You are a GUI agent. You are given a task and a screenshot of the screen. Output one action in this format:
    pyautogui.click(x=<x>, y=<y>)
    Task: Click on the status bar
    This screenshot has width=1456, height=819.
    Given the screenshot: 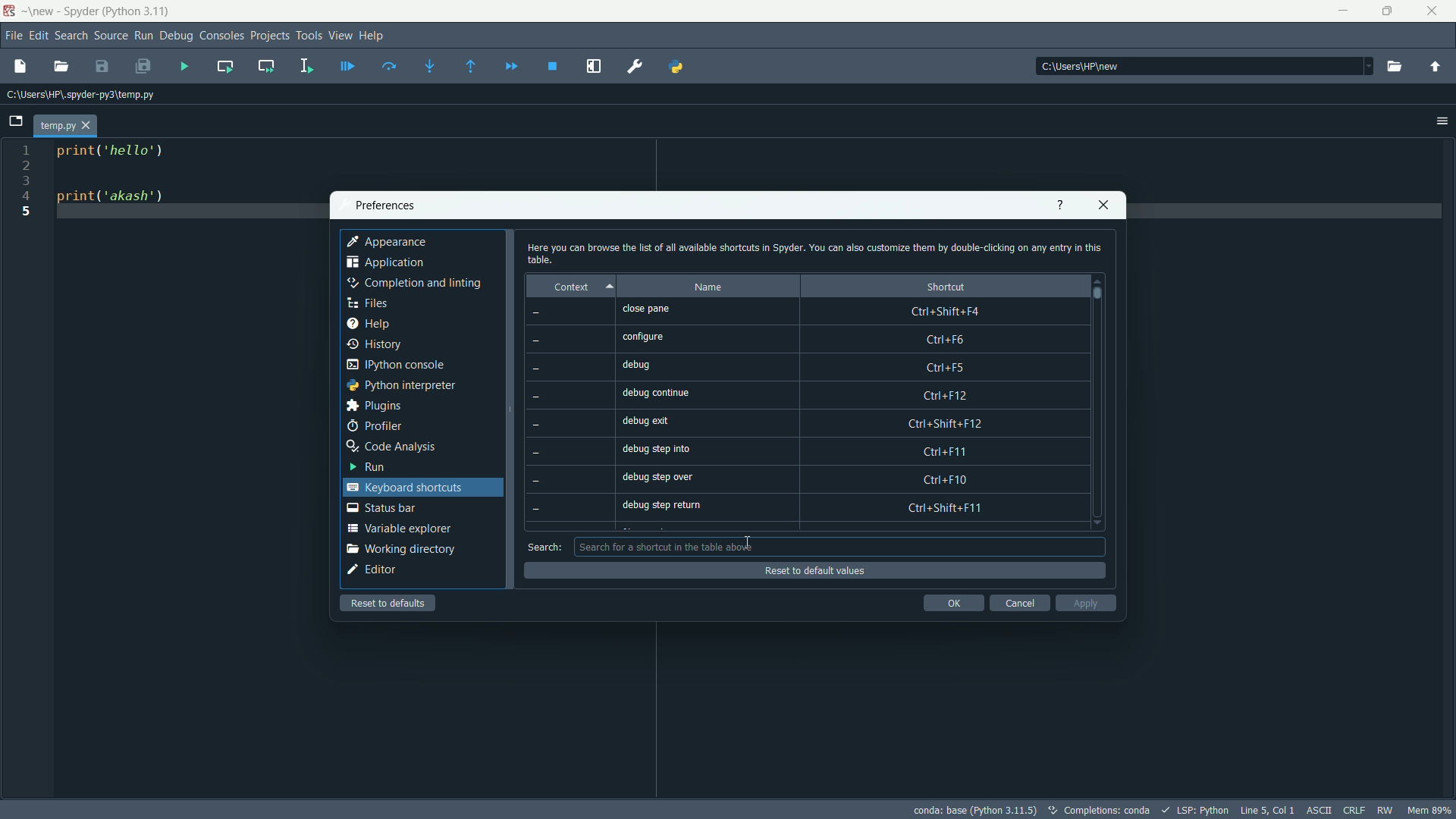 What is the action you would take?
    pyautogui.click(x=381, y=508)
    